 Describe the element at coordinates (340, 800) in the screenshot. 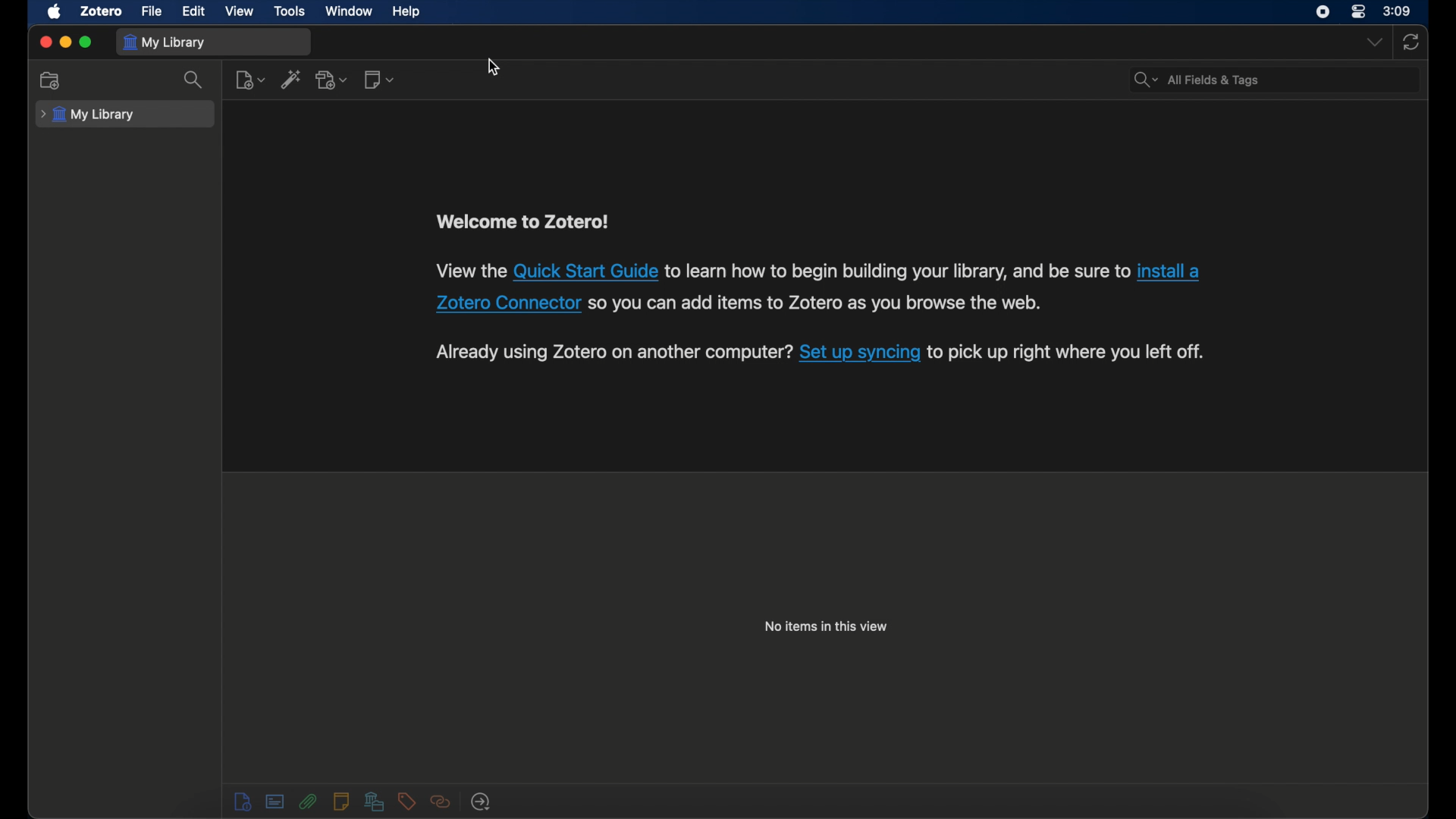

I see `notes` at that location.